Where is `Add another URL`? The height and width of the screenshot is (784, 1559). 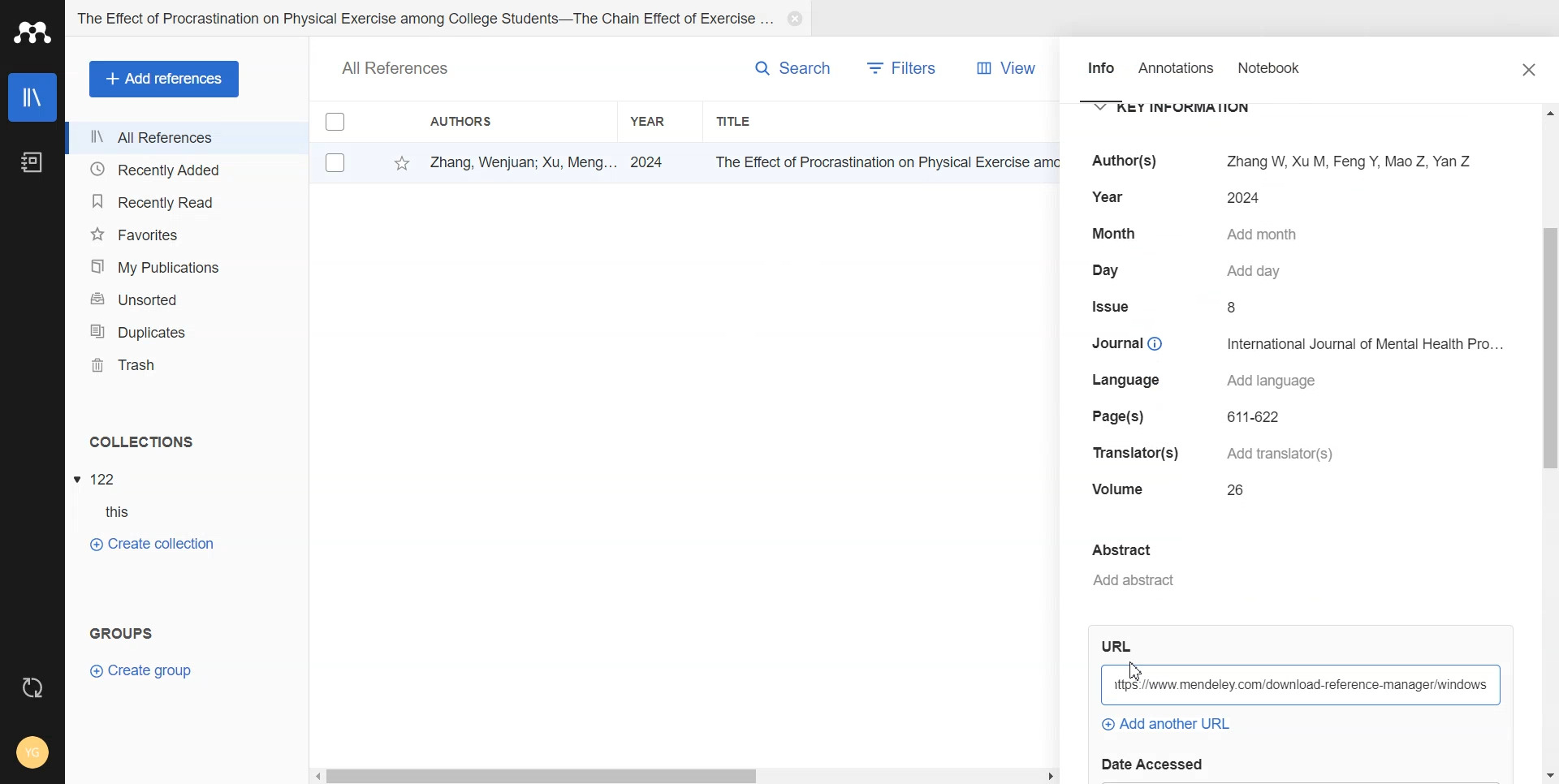 Add another URL is located at coordinates (1164, 725).